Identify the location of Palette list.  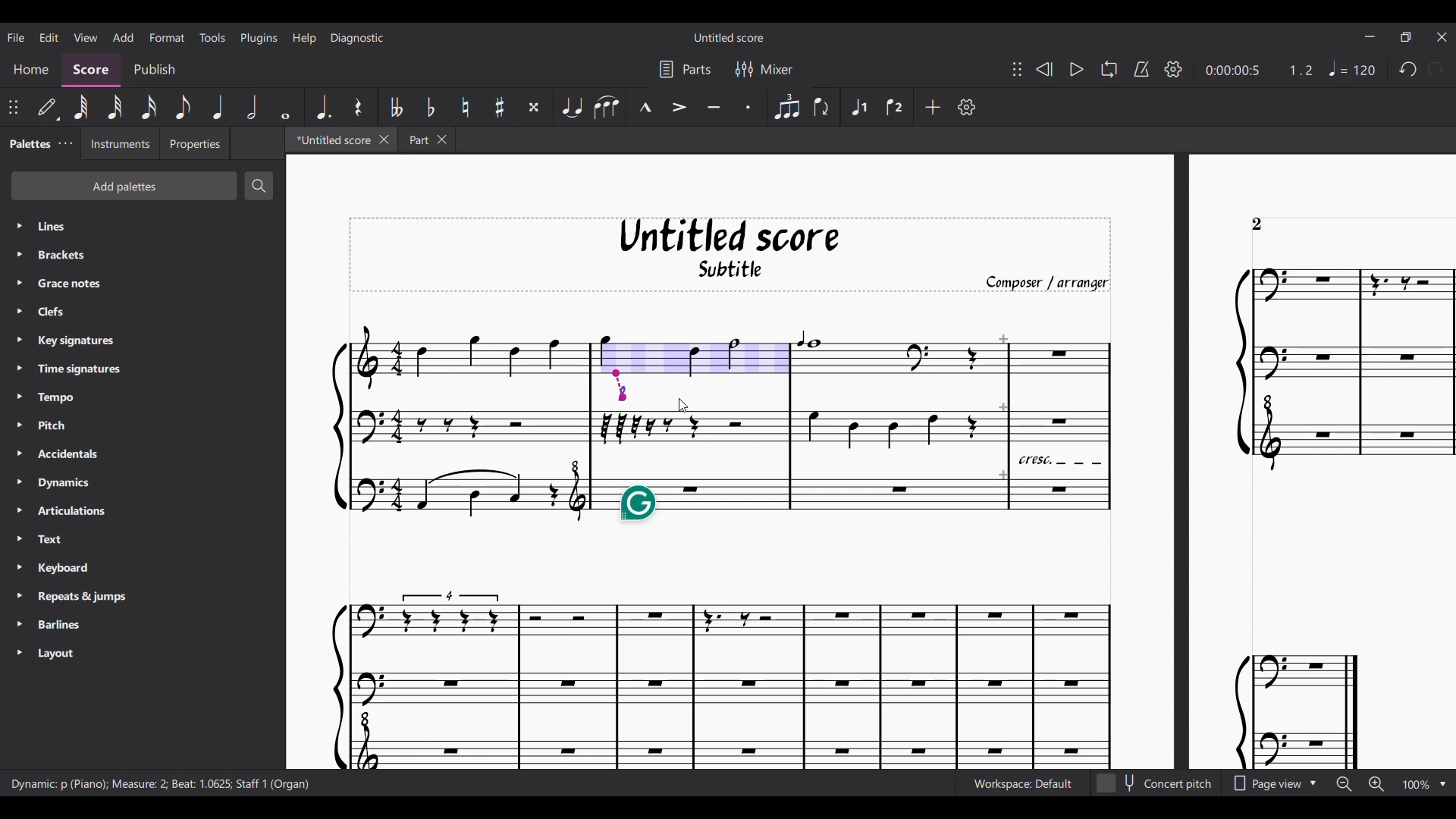
(157, 441).